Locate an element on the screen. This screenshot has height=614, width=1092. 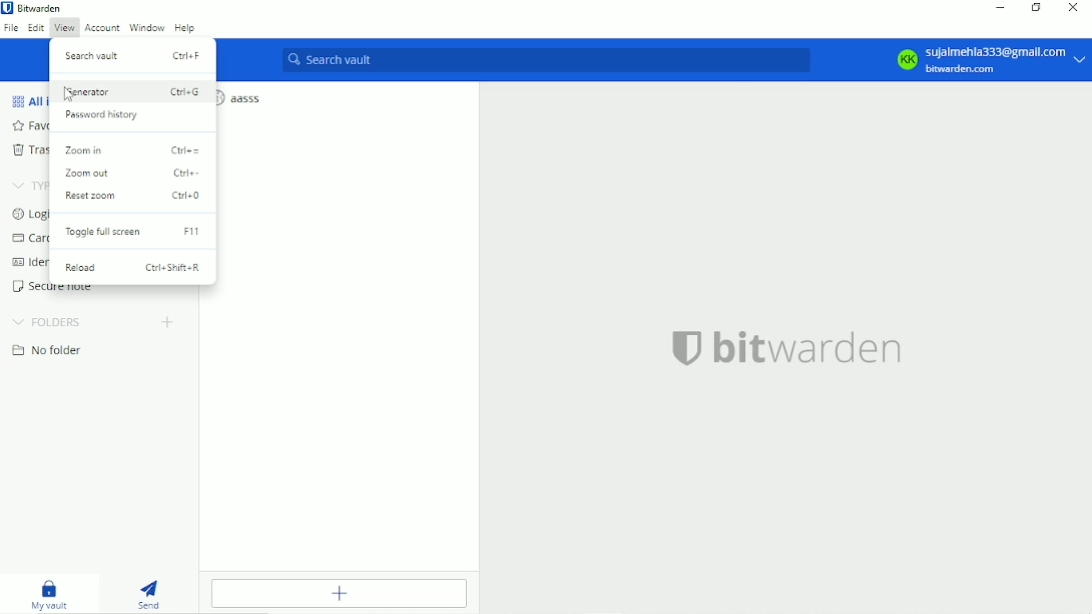
My vault is located at coordinates (50, 595).